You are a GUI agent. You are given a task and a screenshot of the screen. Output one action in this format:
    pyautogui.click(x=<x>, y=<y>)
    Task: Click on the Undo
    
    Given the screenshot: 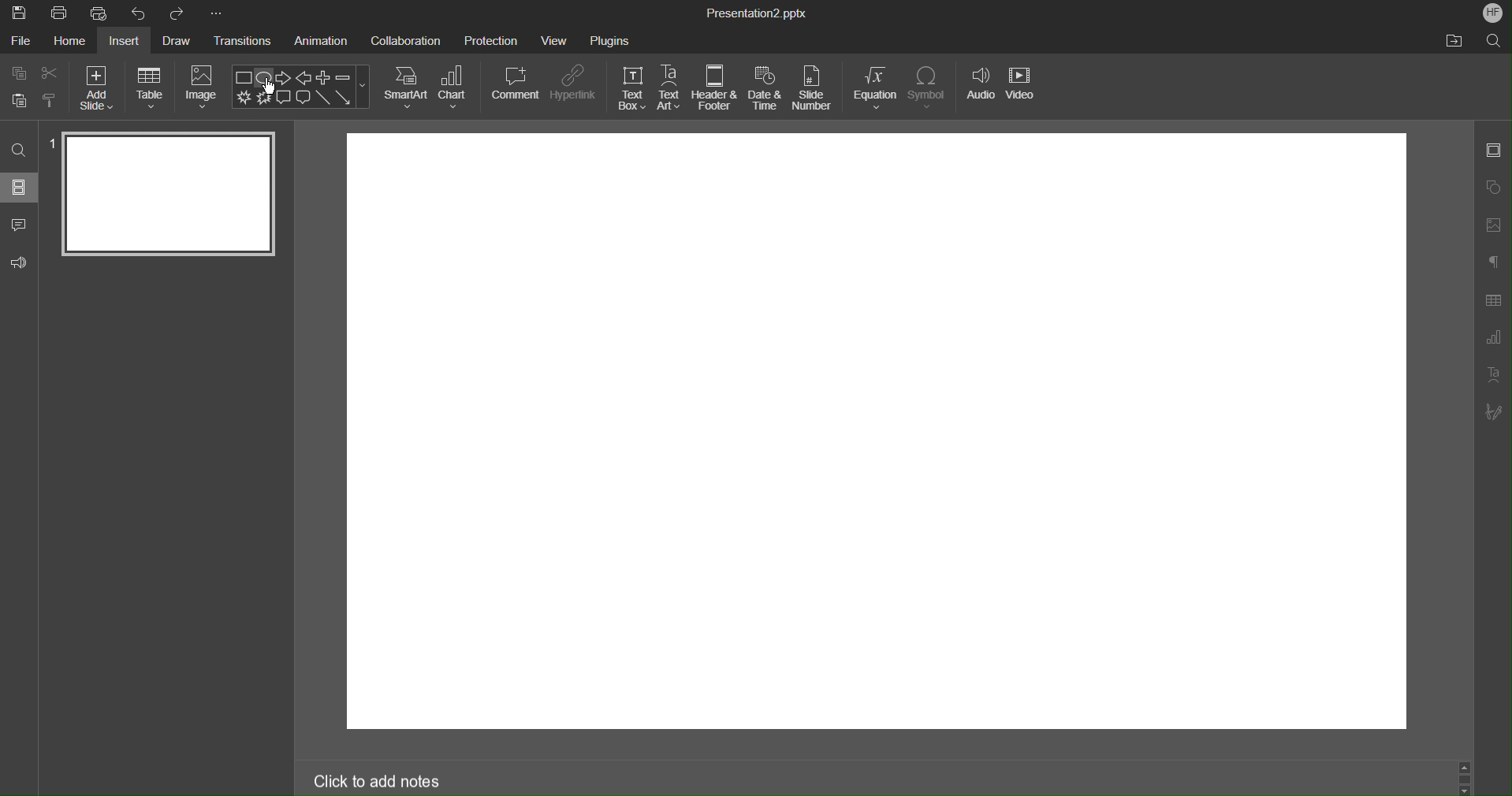 What is the action you would take?
    pyautogui.click(x=142, y=13)
    